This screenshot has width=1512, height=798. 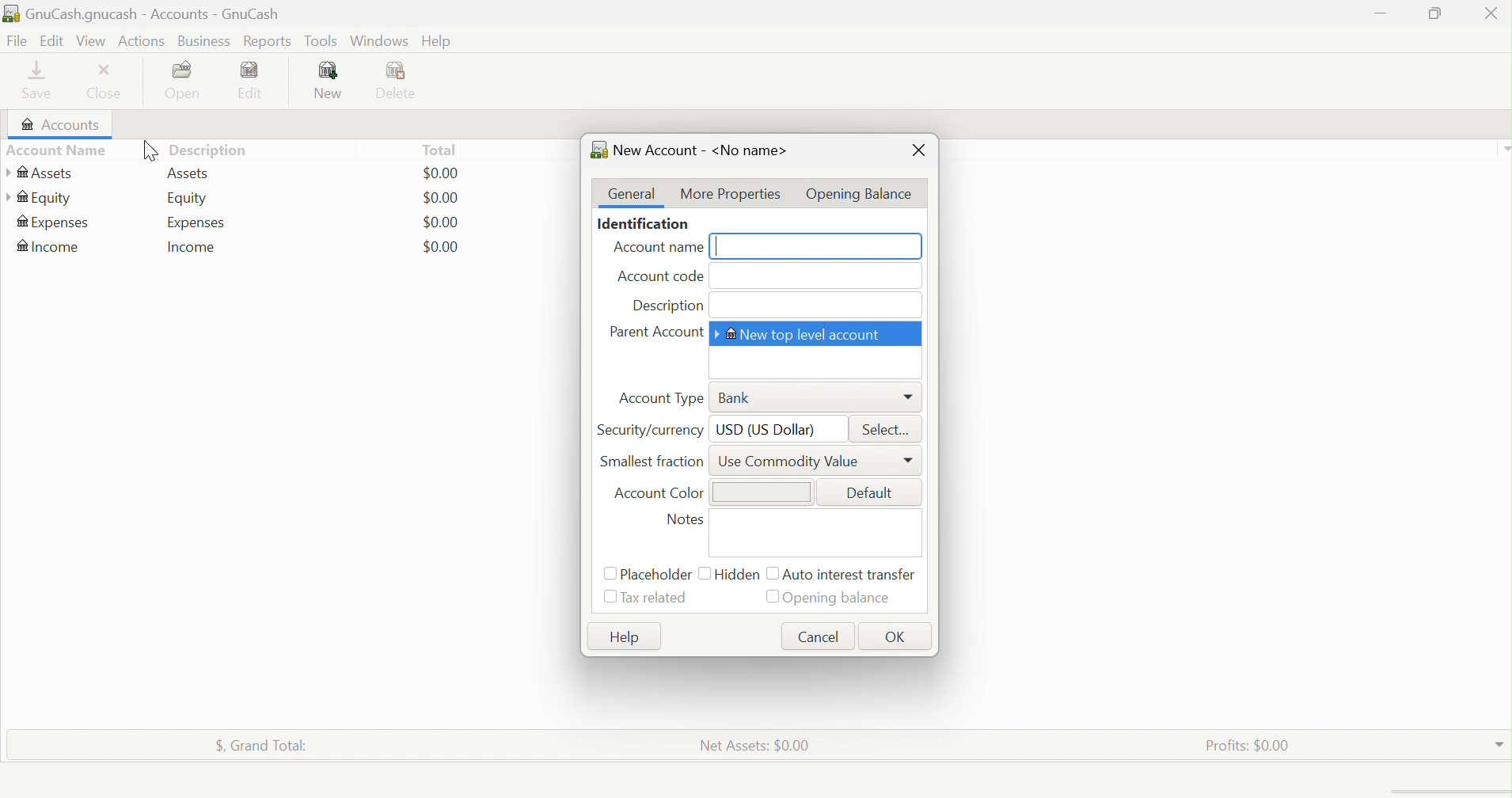 What do you see at coordinates (1432, 13) in the screenshot?
I see `Restore Down` at bounding box center [1432, 13].